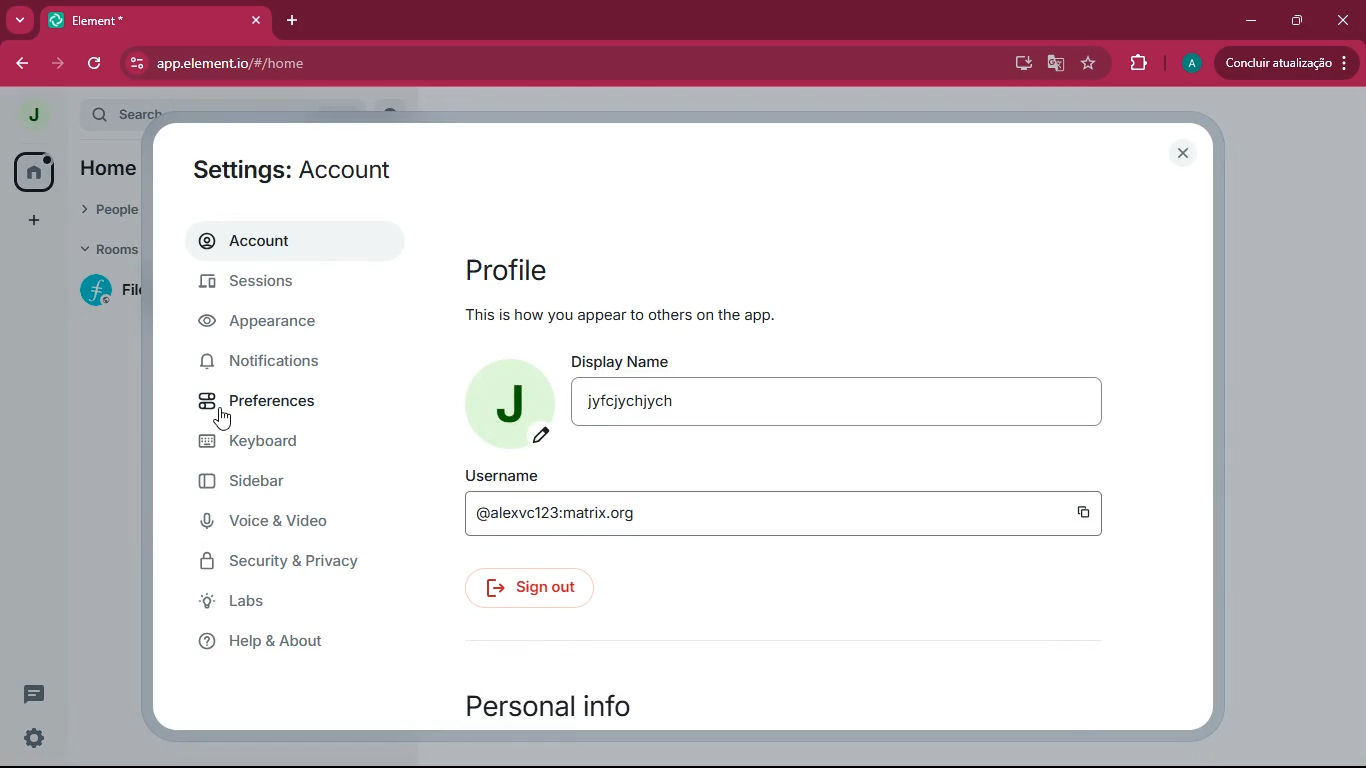  Describe the element at coordinates (35, 686) in the screenshot. I see `comments` at that location.